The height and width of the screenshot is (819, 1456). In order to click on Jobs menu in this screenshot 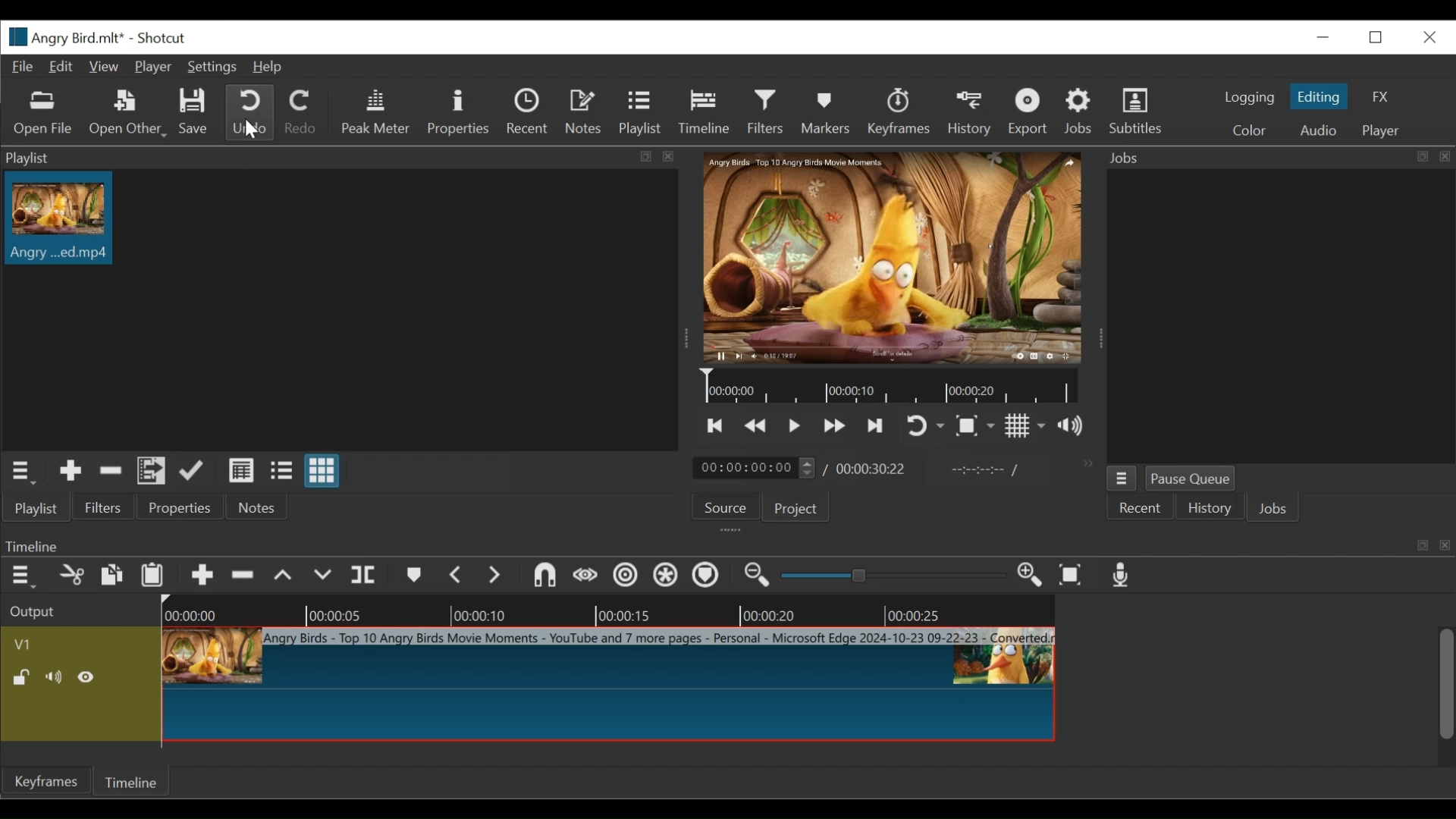, I will do `click(1122, 479)`.